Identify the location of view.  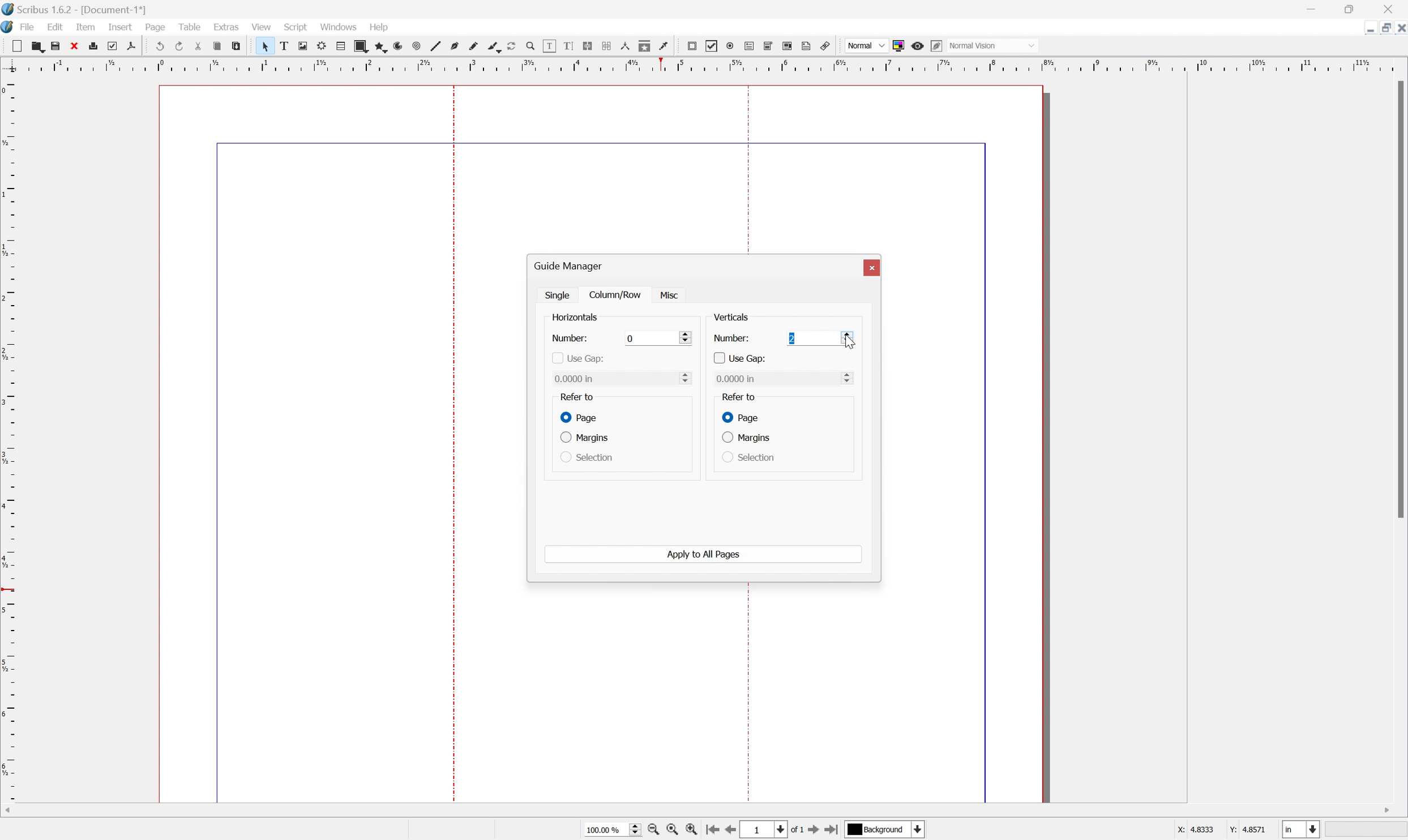
(264, 28).